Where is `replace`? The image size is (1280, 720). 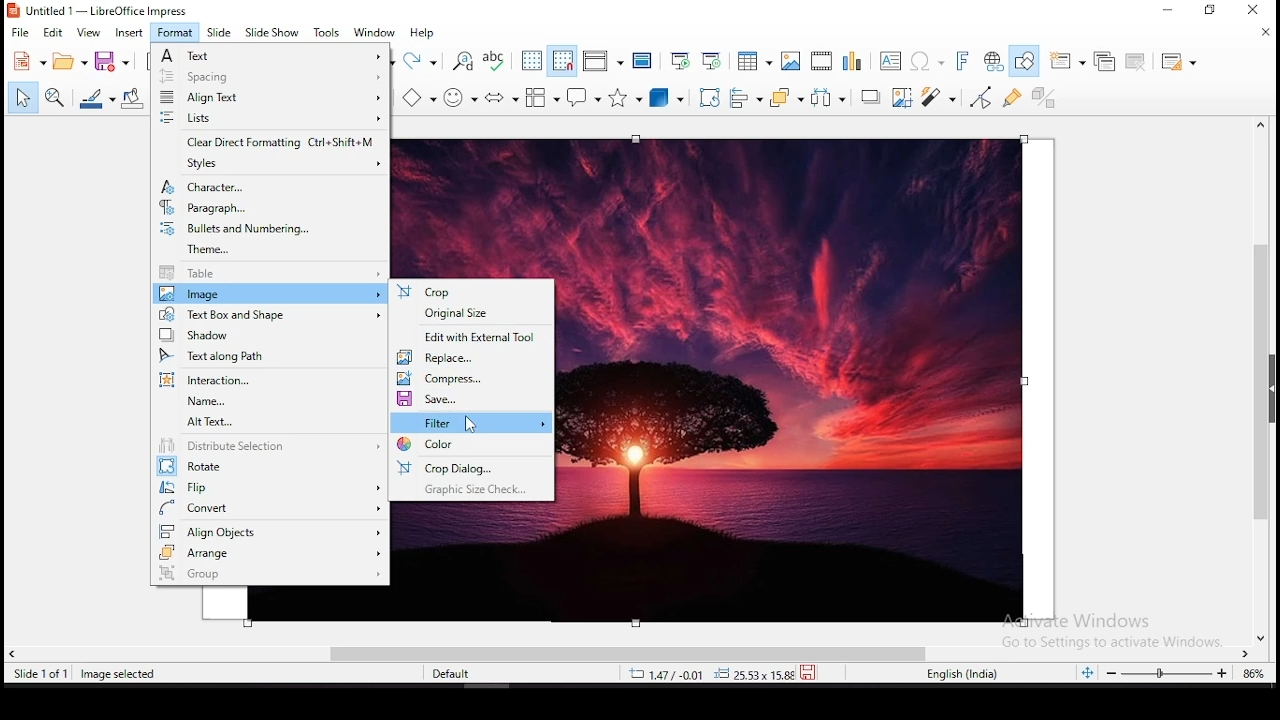
replace is located at coordinates (473, 358).